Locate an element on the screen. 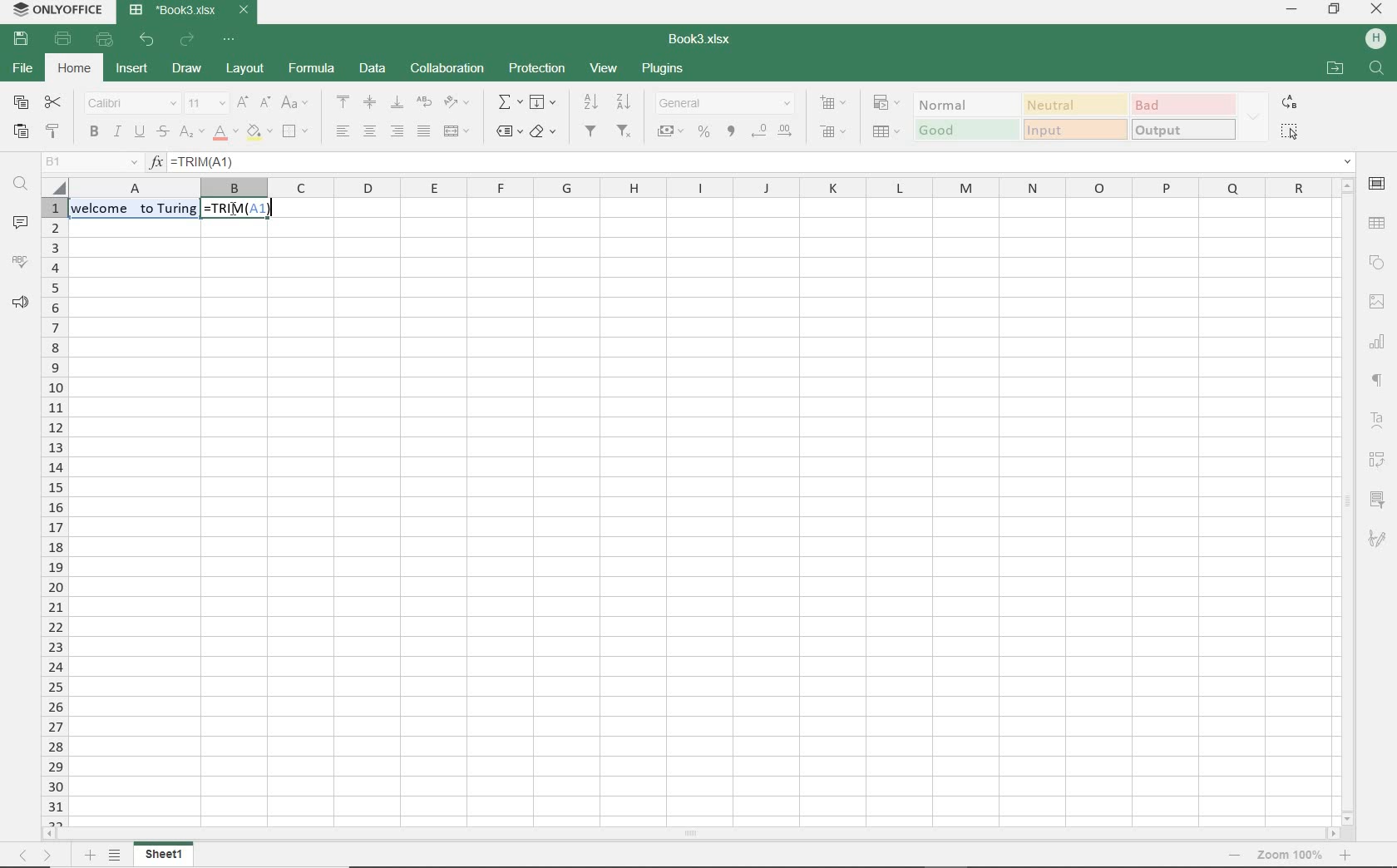 The height and width of the screenshot is (868, 1397). fill is located at coordinates (542, 103).